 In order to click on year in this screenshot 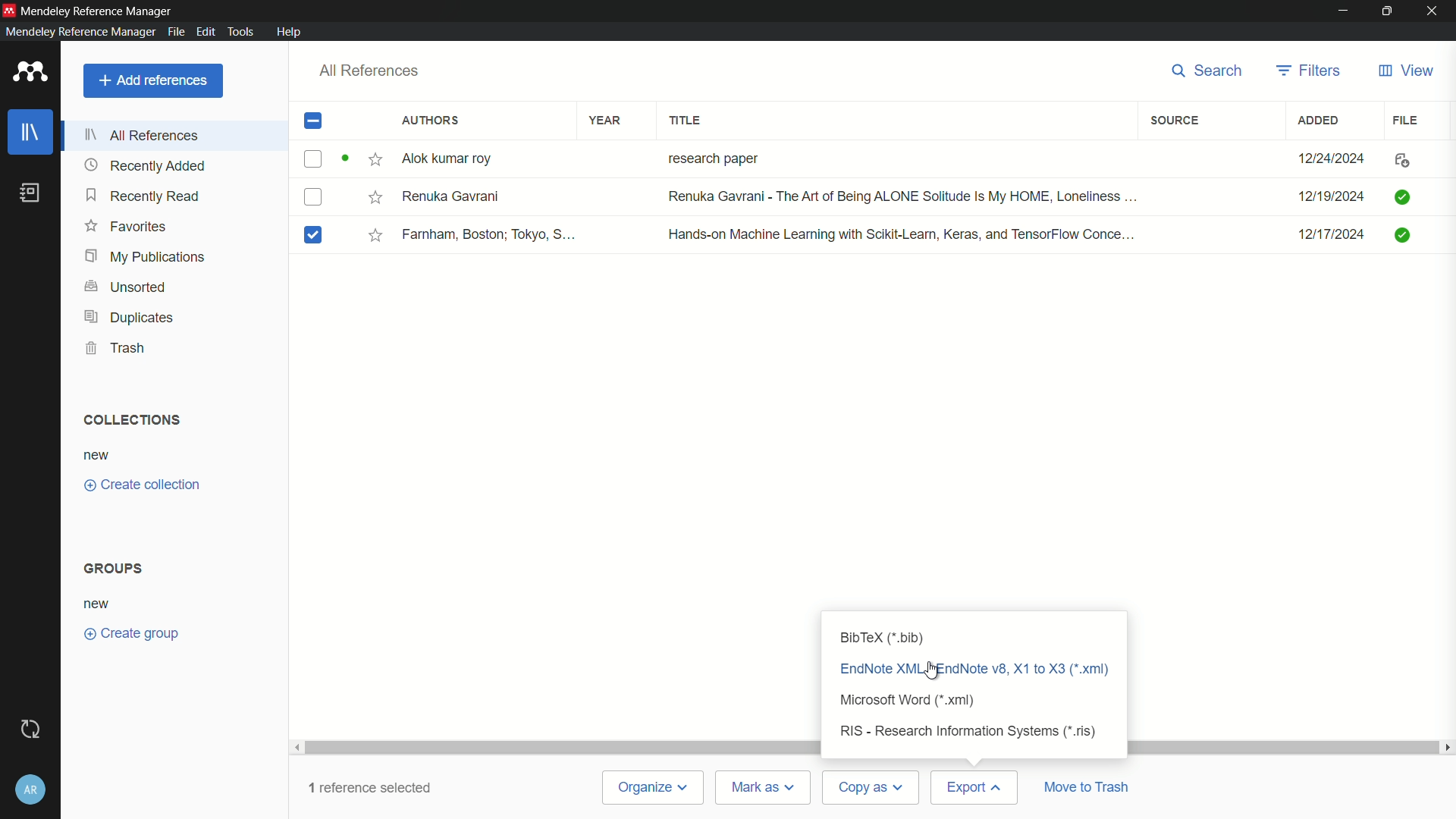, I will do `click(606, 120)`.